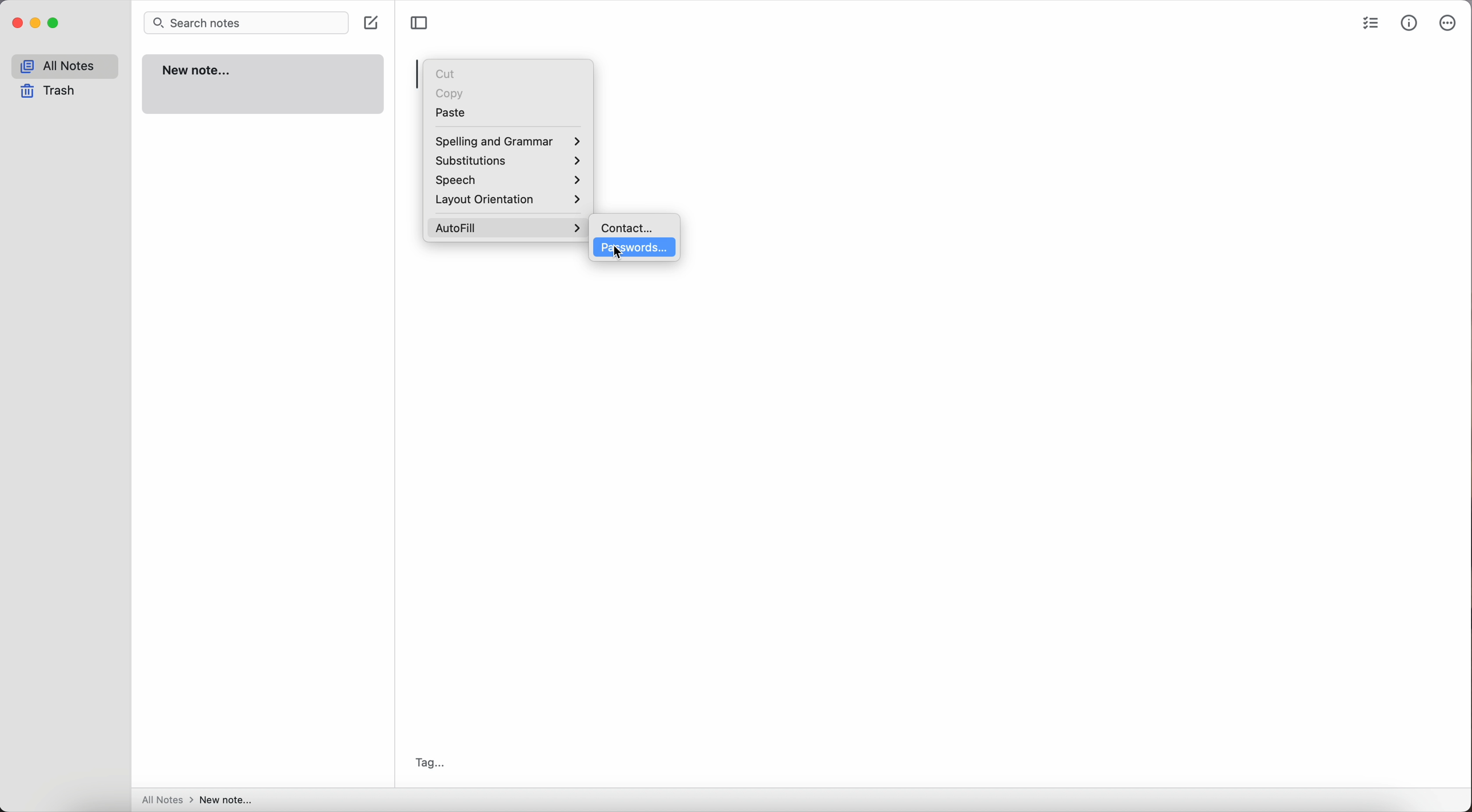 This screenshot has height=812, width=1472. I want to click on new note, so click(264, 85).